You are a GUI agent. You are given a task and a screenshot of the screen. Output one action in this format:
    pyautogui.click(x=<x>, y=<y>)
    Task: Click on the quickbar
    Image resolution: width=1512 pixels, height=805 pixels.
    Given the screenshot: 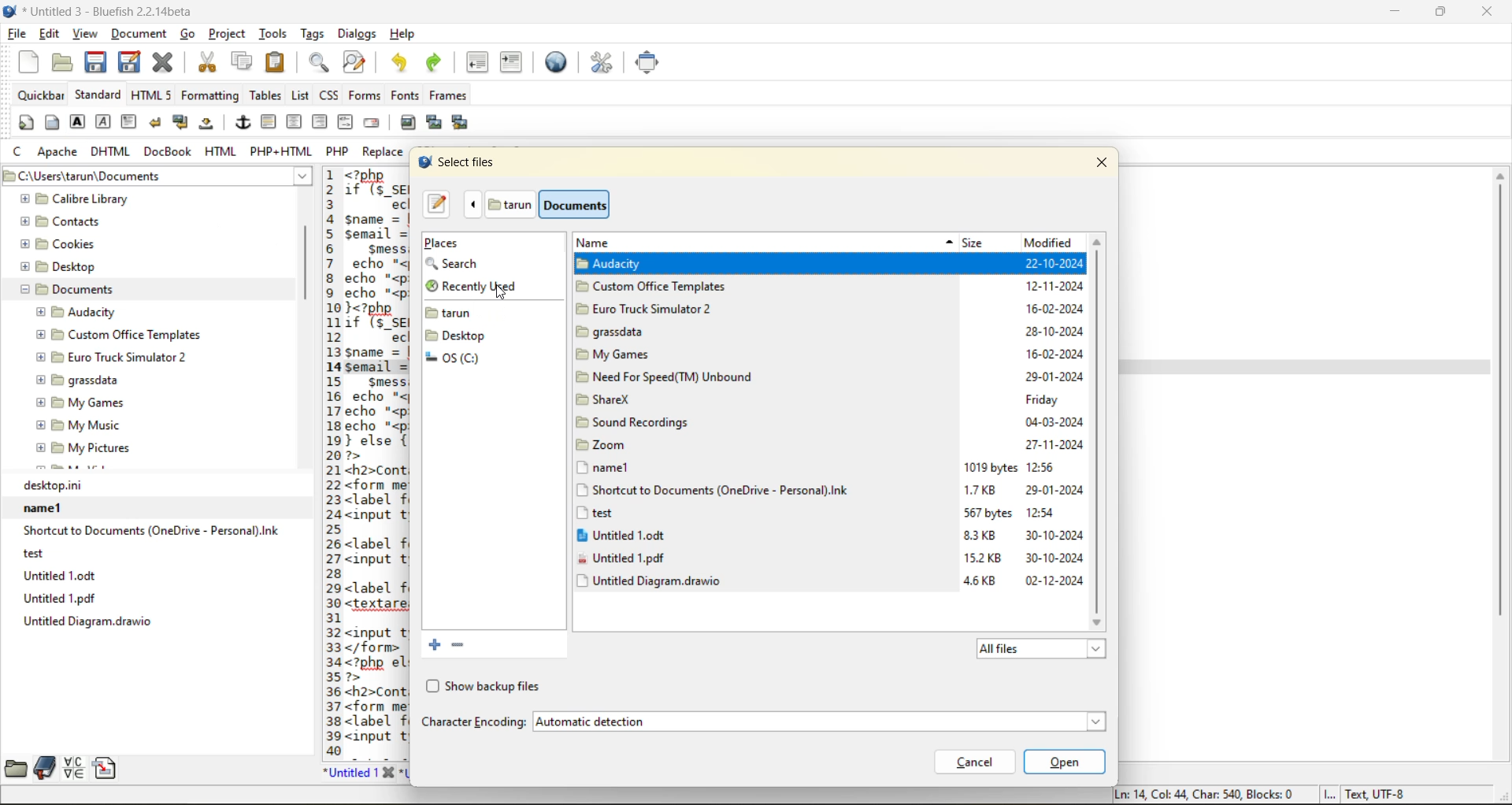 What is the action you would take?
    pyautogui.click(x=40, y=95)
    